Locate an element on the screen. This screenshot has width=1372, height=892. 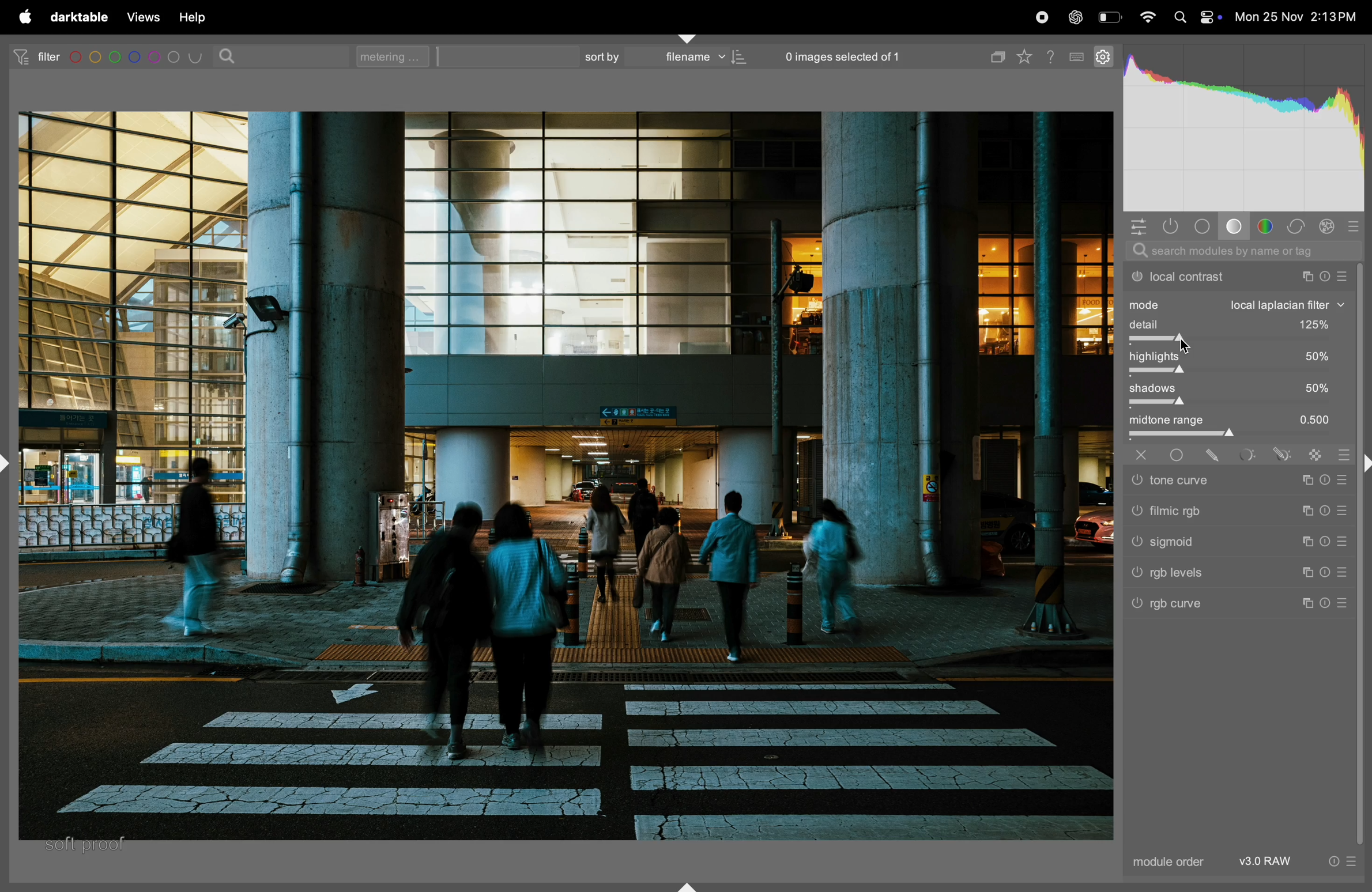
filmic rgb switched off is located at coordinates (1136, 512).